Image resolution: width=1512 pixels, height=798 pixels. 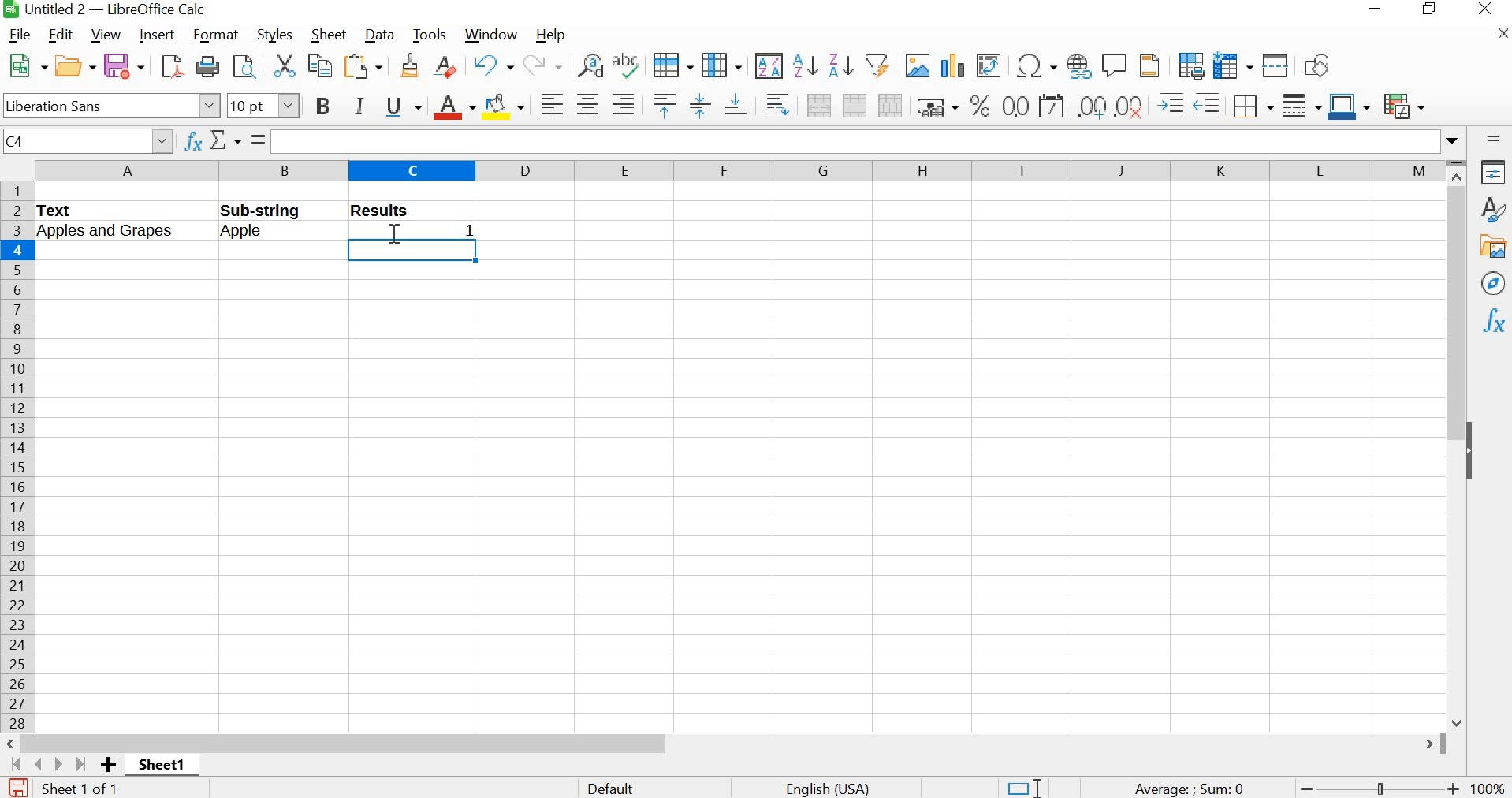 What do you see at coordinates (244, 66) in the screenshot?
I see `toggle print preview` at bounding box center [244, 66].